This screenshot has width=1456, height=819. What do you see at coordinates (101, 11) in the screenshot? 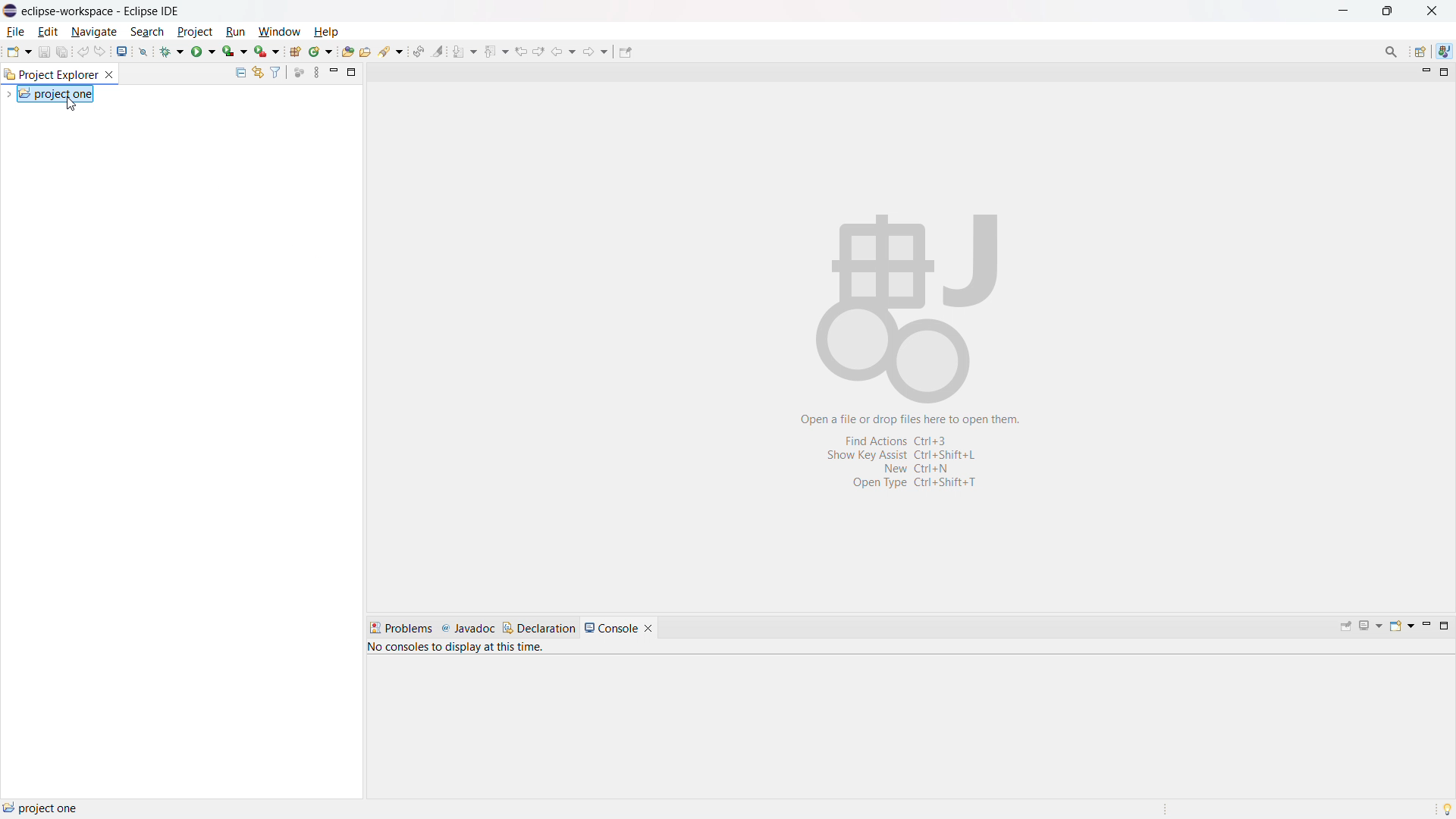
I see `eclipse-workspace - Eclipse IDE` at bounding box center [101, 11].